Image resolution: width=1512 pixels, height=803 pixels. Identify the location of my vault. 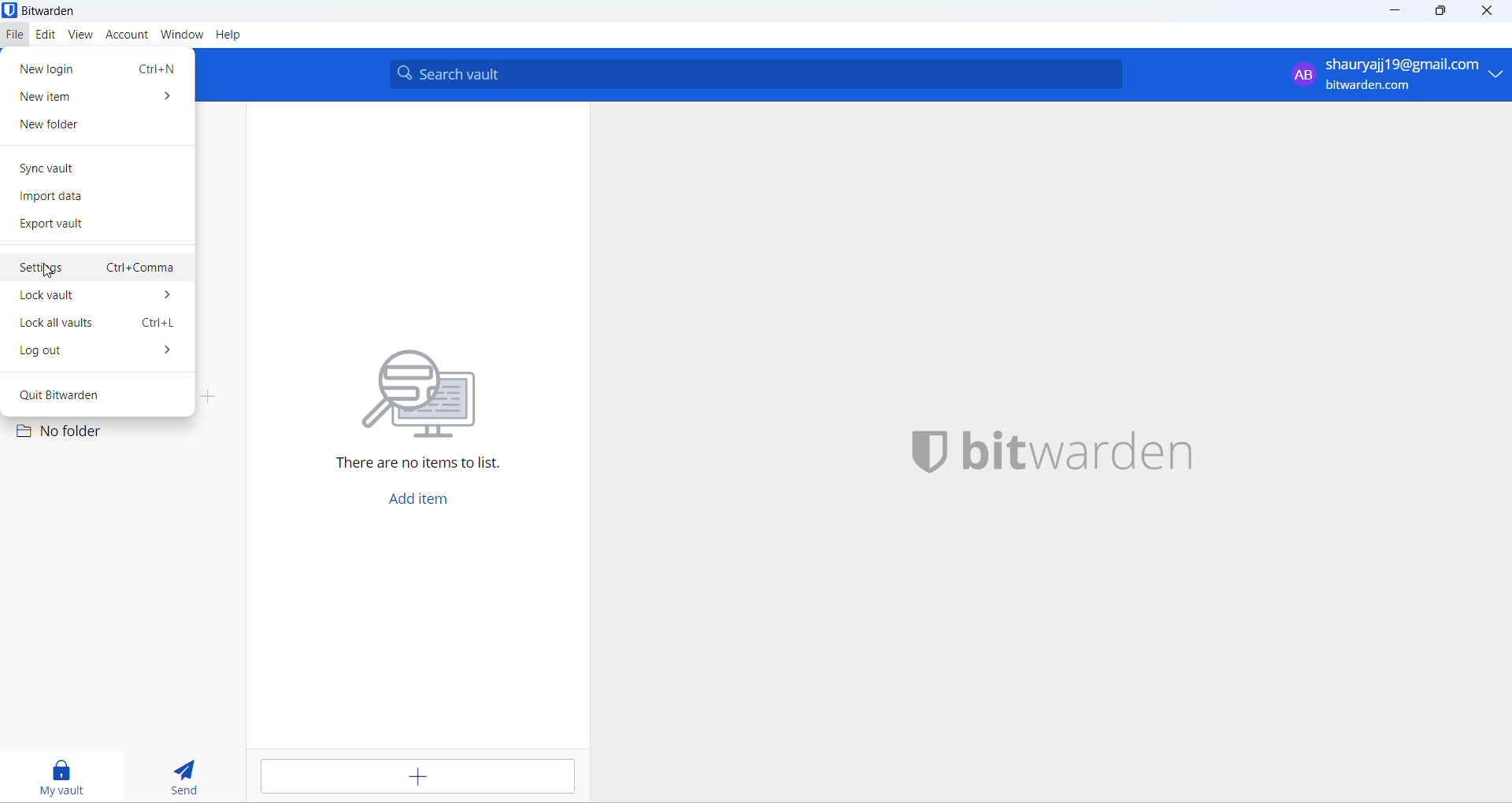
(62, 775).